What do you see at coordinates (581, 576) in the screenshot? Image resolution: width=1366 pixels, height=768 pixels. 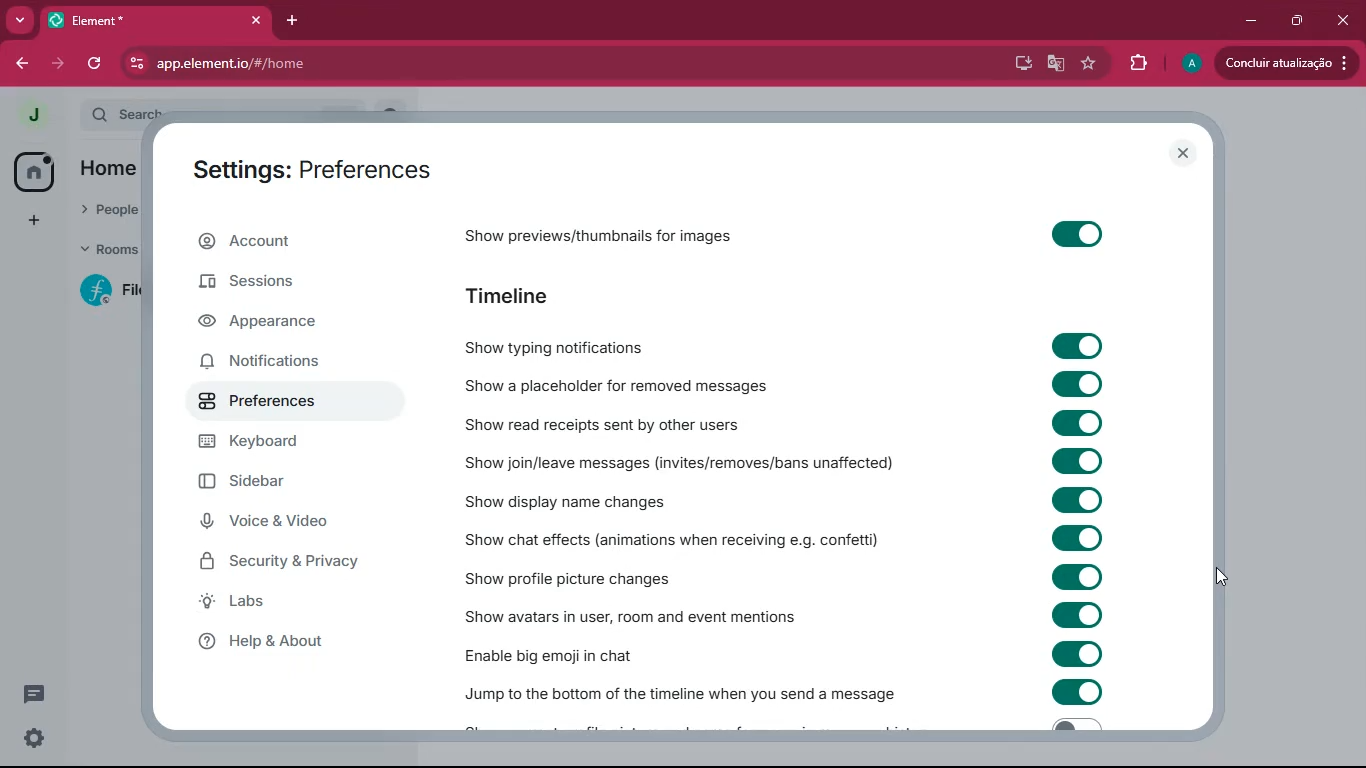 I see `show profile picture changes` at bounding box center [581, 576].